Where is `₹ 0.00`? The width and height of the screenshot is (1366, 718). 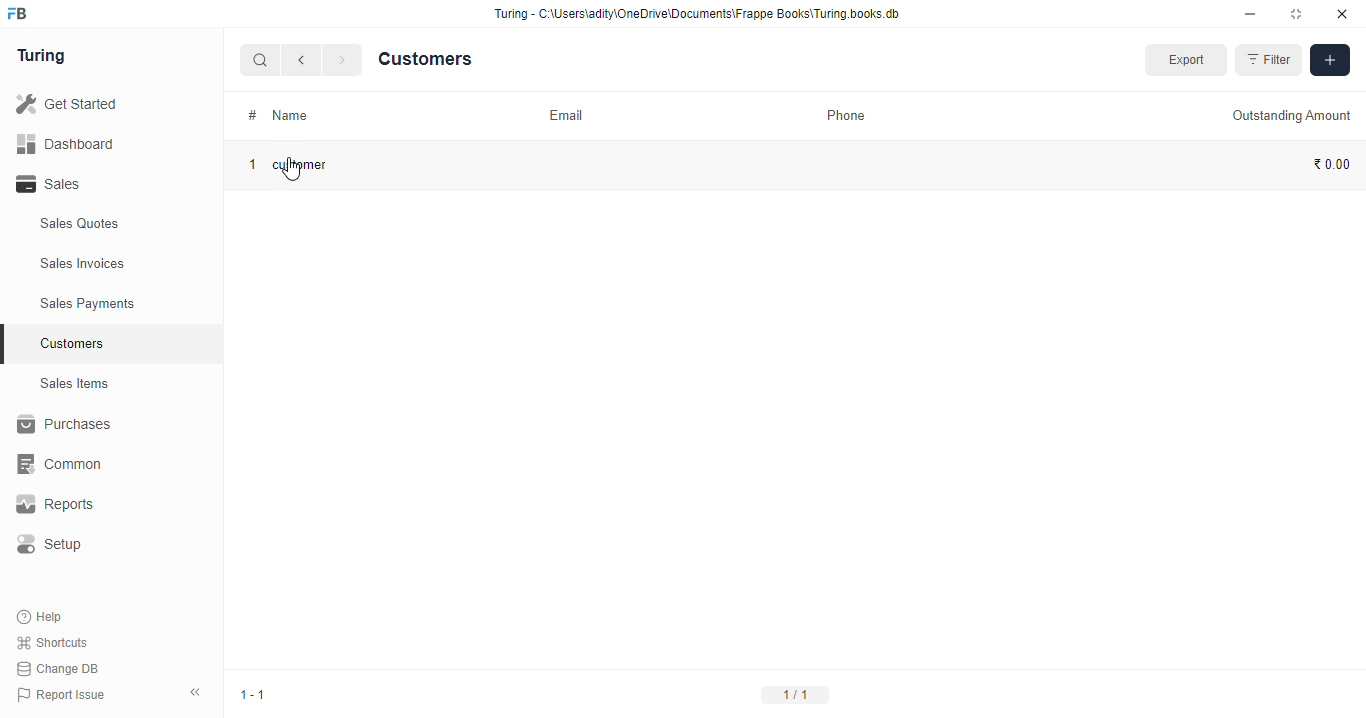 ₹ 0.00 is located at coordinates (1325, 163).